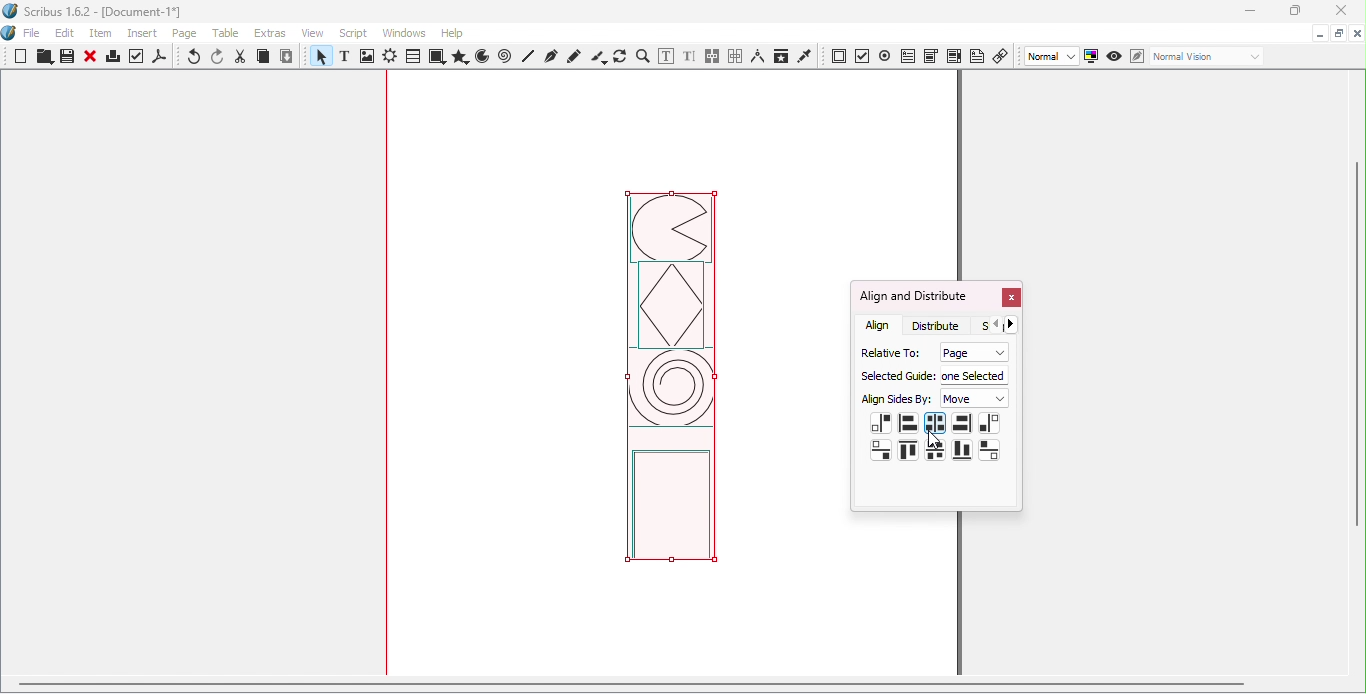 The height and width of the screenshot is (694, 1366). Describe the element at coordinates (674, 687) in the screenshot. I see `Horizontal scroll bar` at that location.